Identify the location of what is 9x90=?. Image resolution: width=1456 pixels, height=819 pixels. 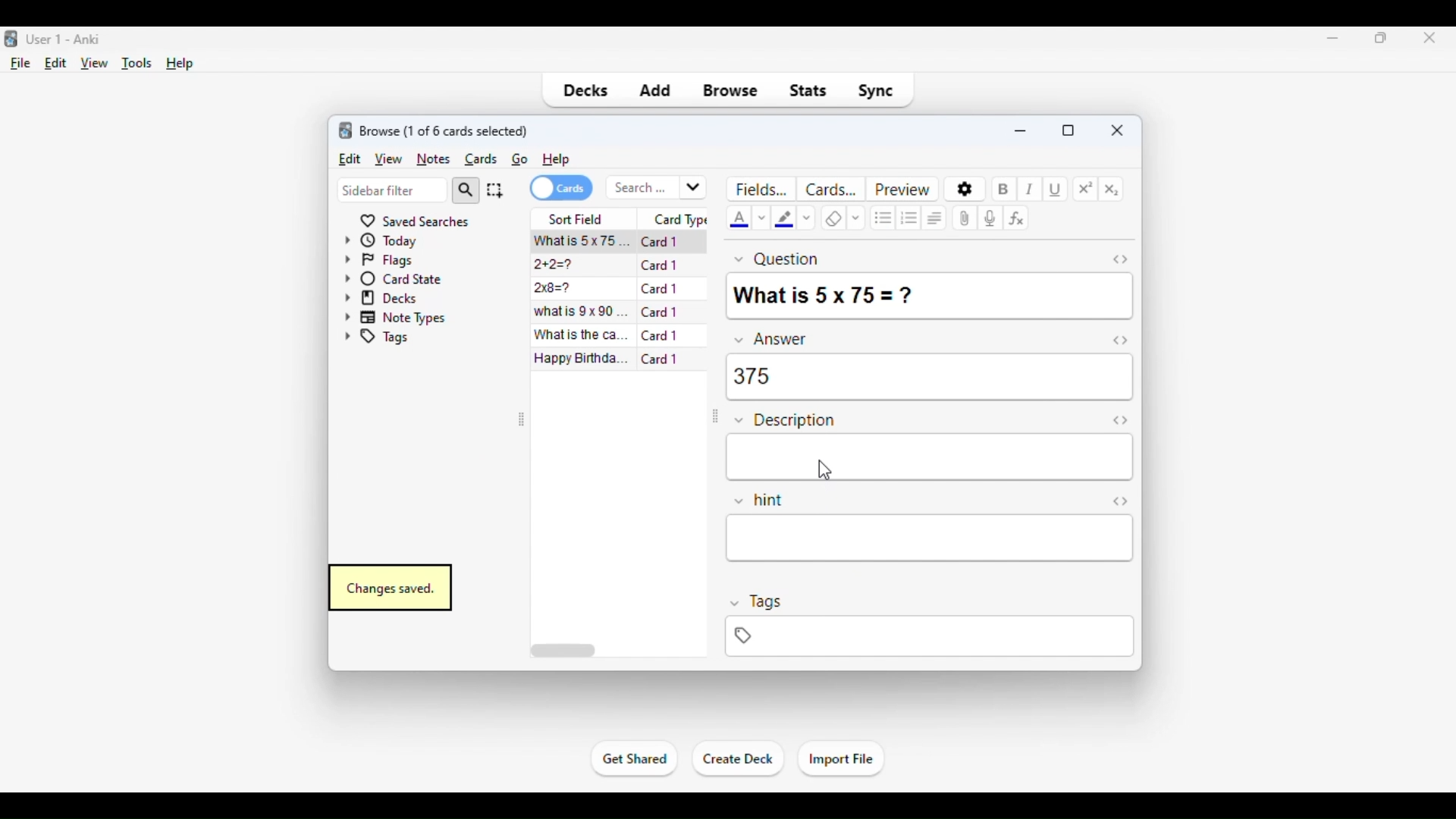
(581, 311).